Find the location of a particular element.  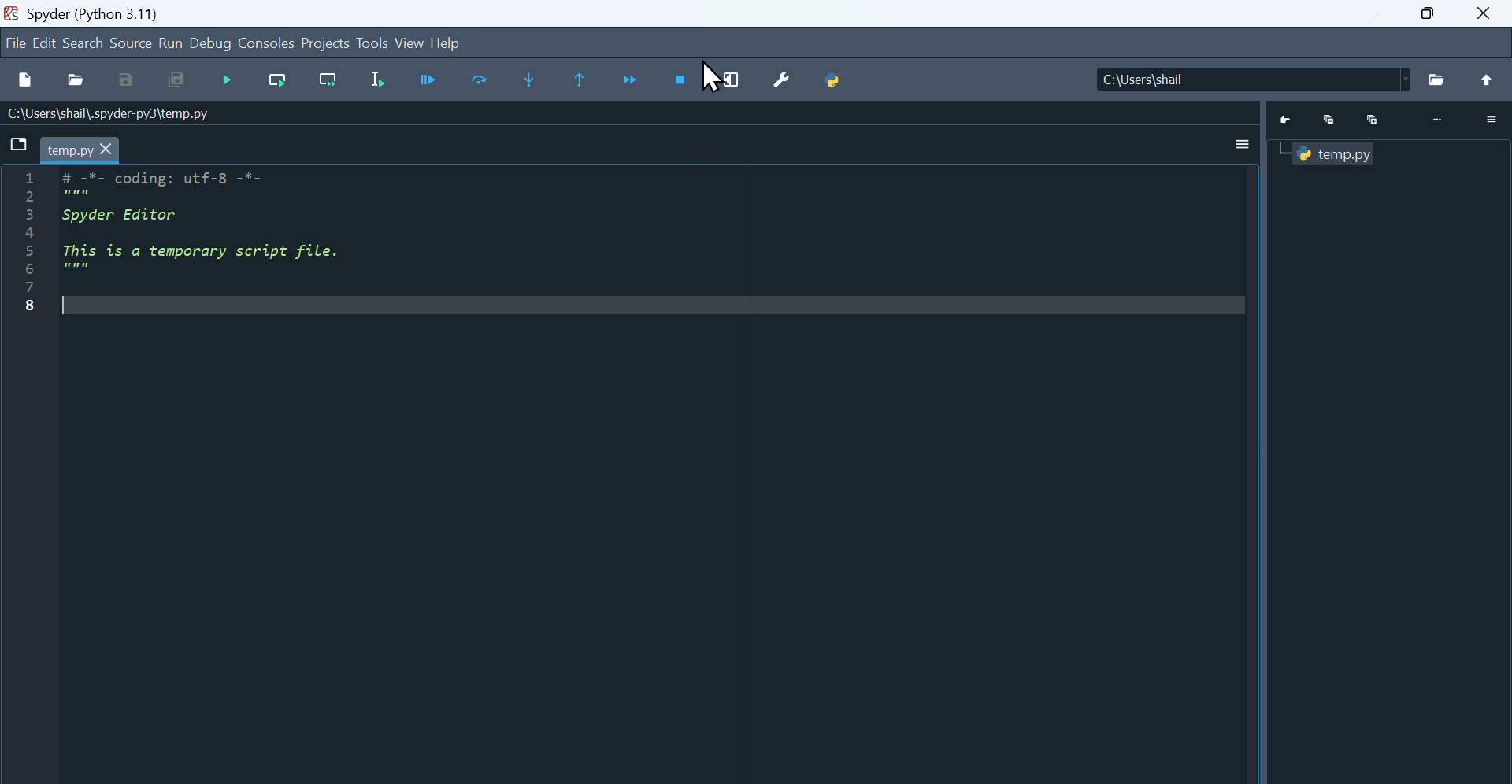

Run until same function returns is located at coordinates (581, 80).